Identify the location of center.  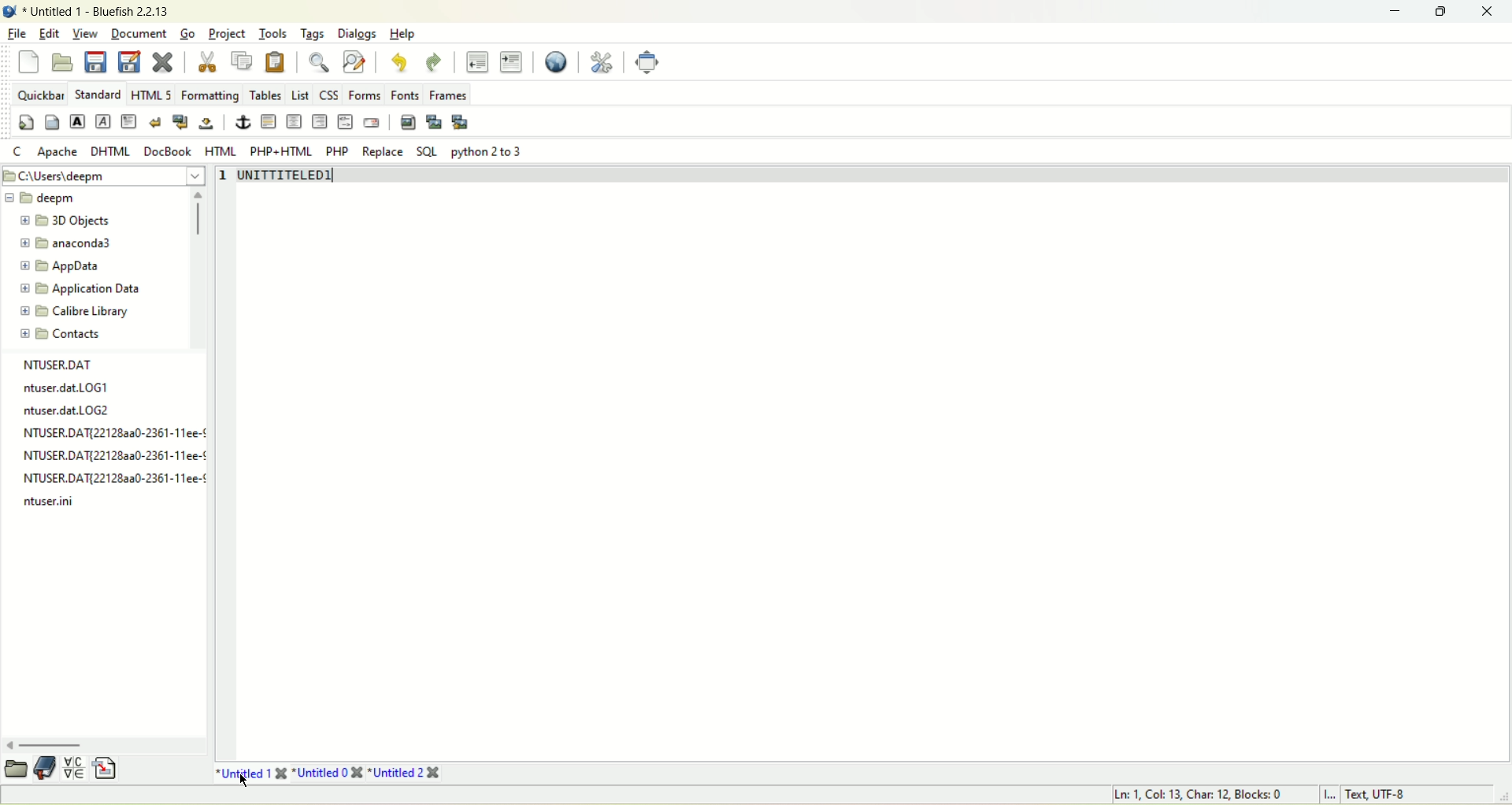
(294, 121).